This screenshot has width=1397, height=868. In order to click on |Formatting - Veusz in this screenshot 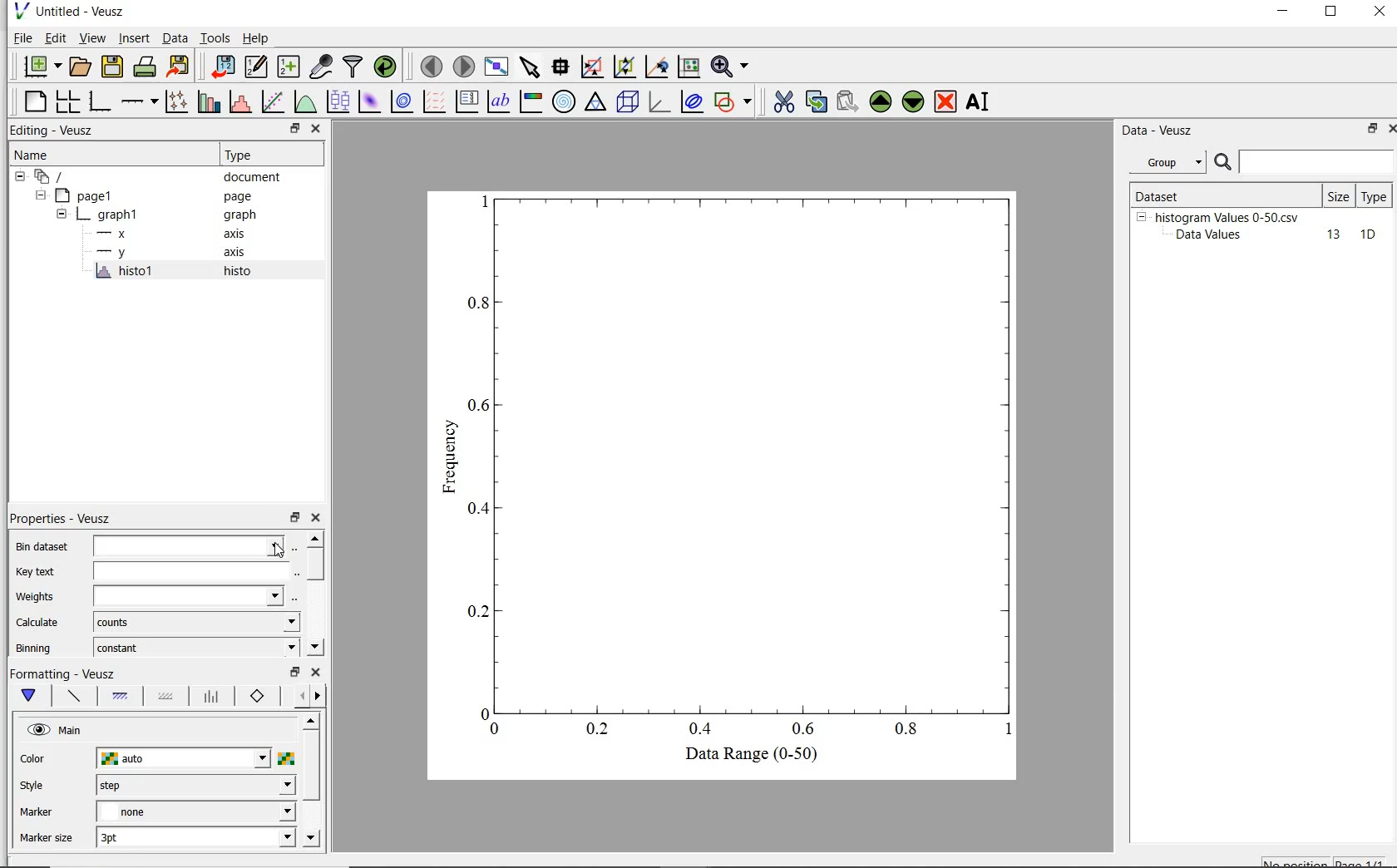, I will do `click(64, 673)`.